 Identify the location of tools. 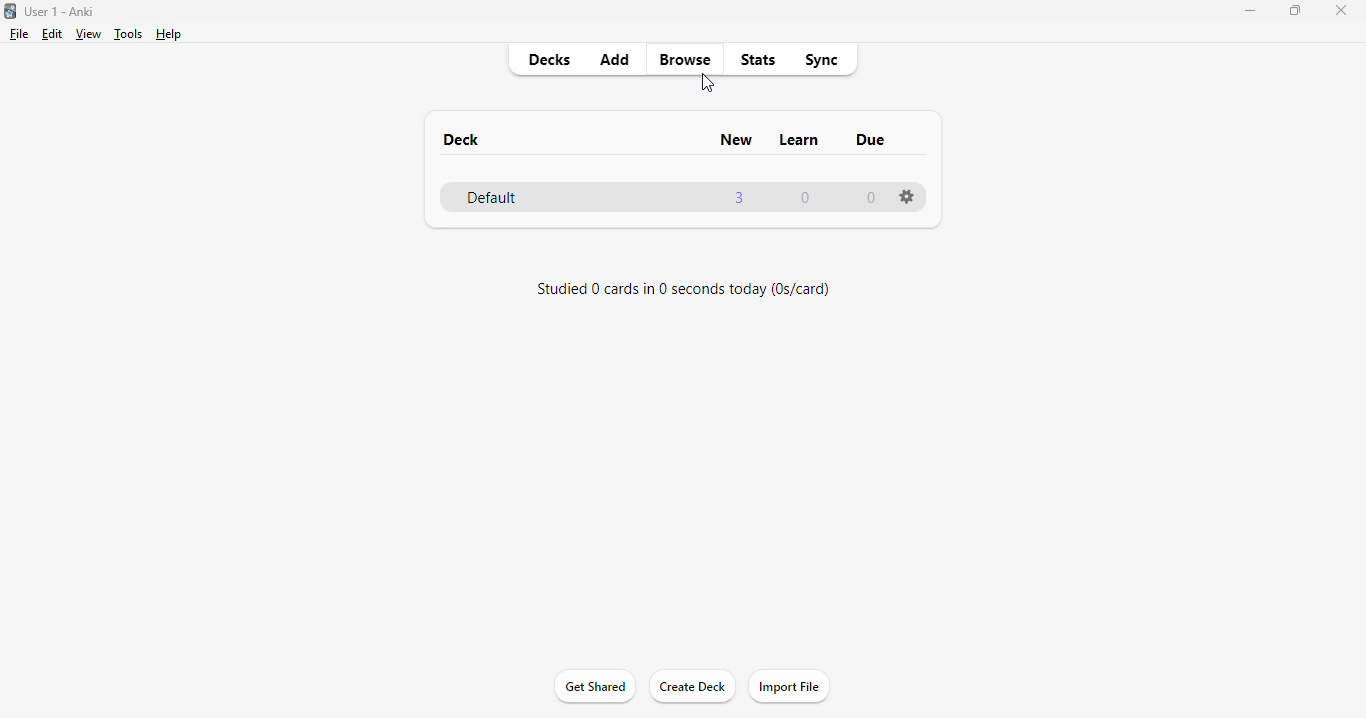
(128, 34).